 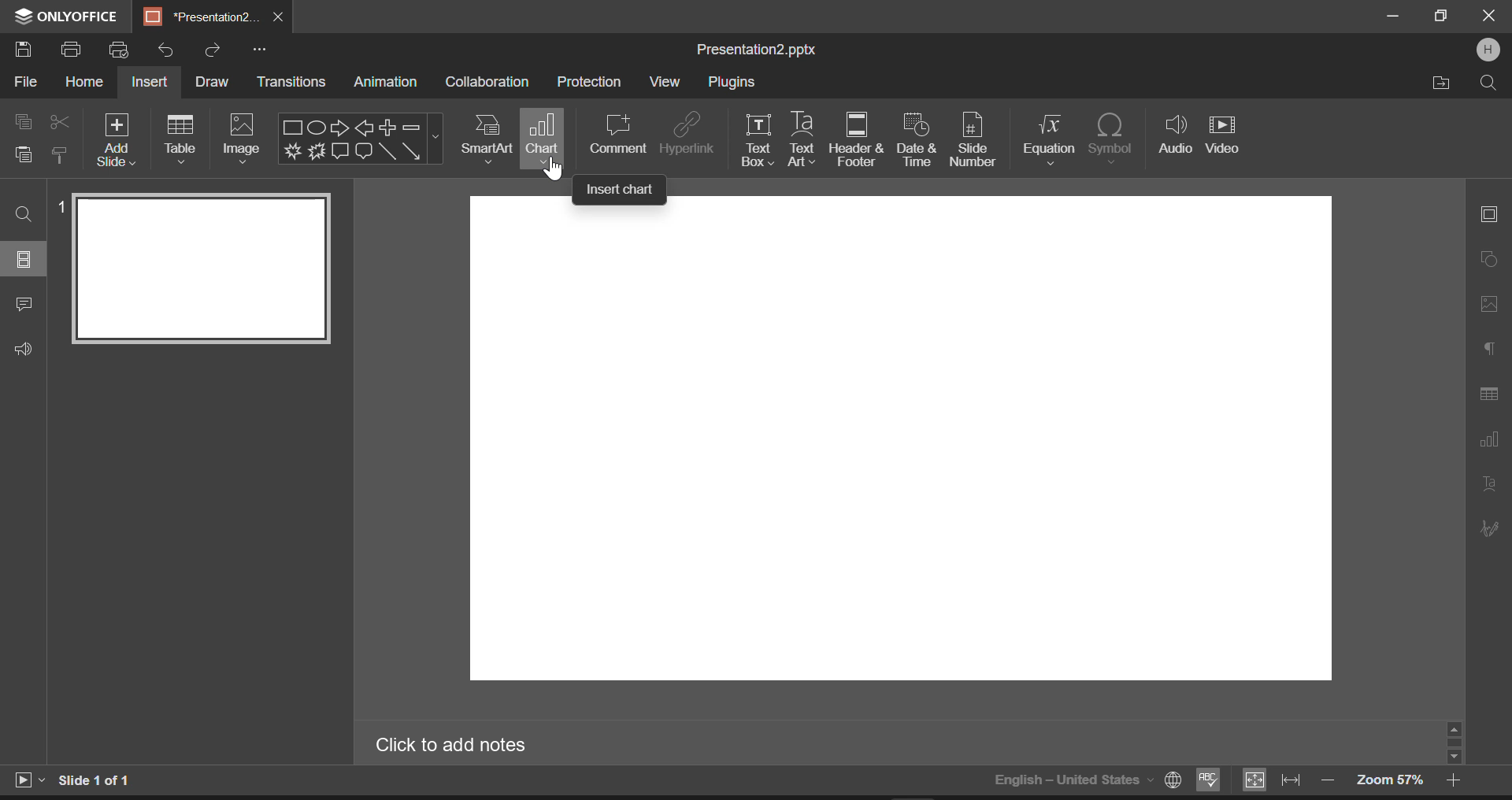 What do you see at coordinates (195, 268) in the screenshot?
I see `Slide 1` at bounding box center [195, 268].